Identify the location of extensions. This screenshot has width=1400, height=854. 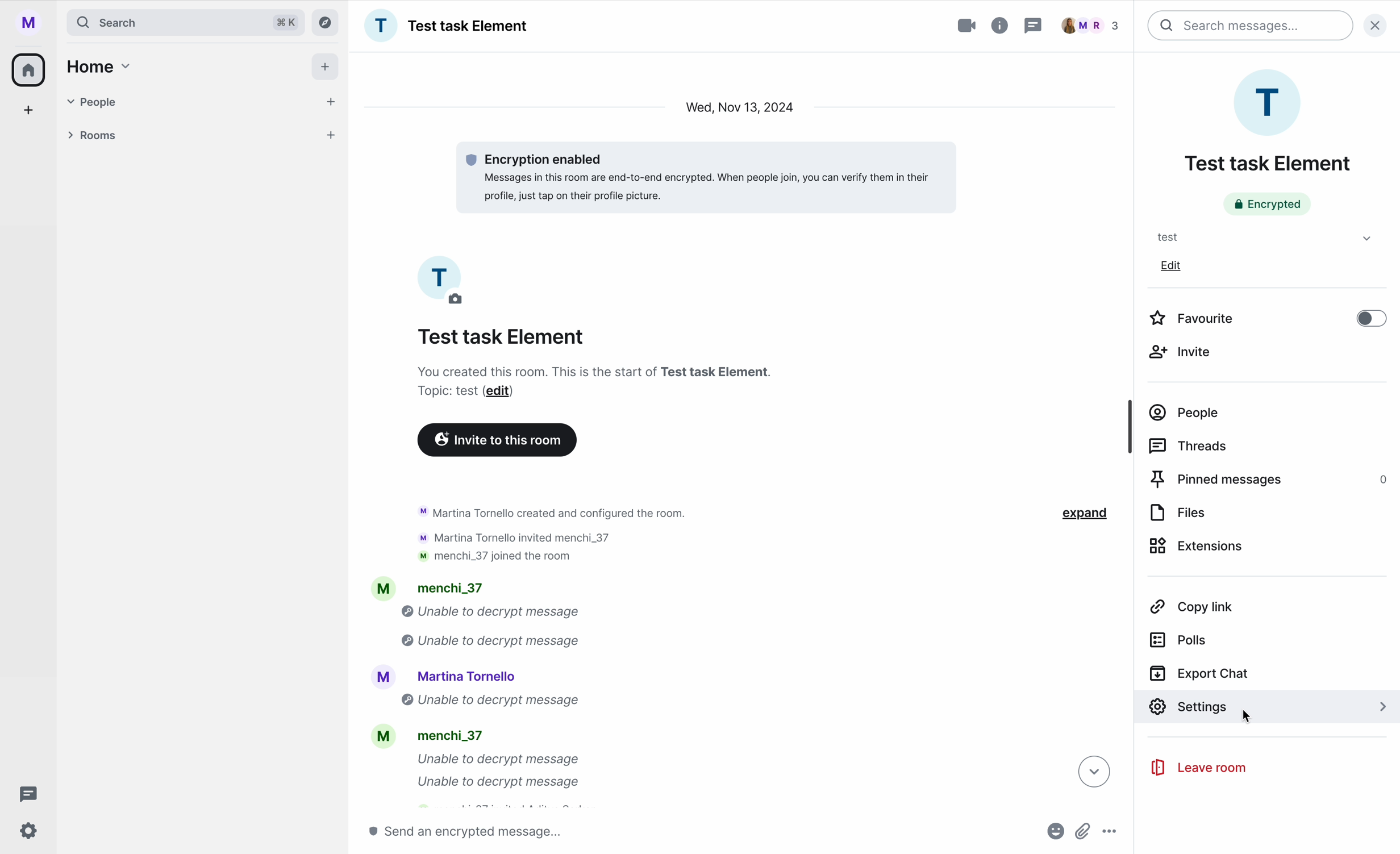
(1199, 548).